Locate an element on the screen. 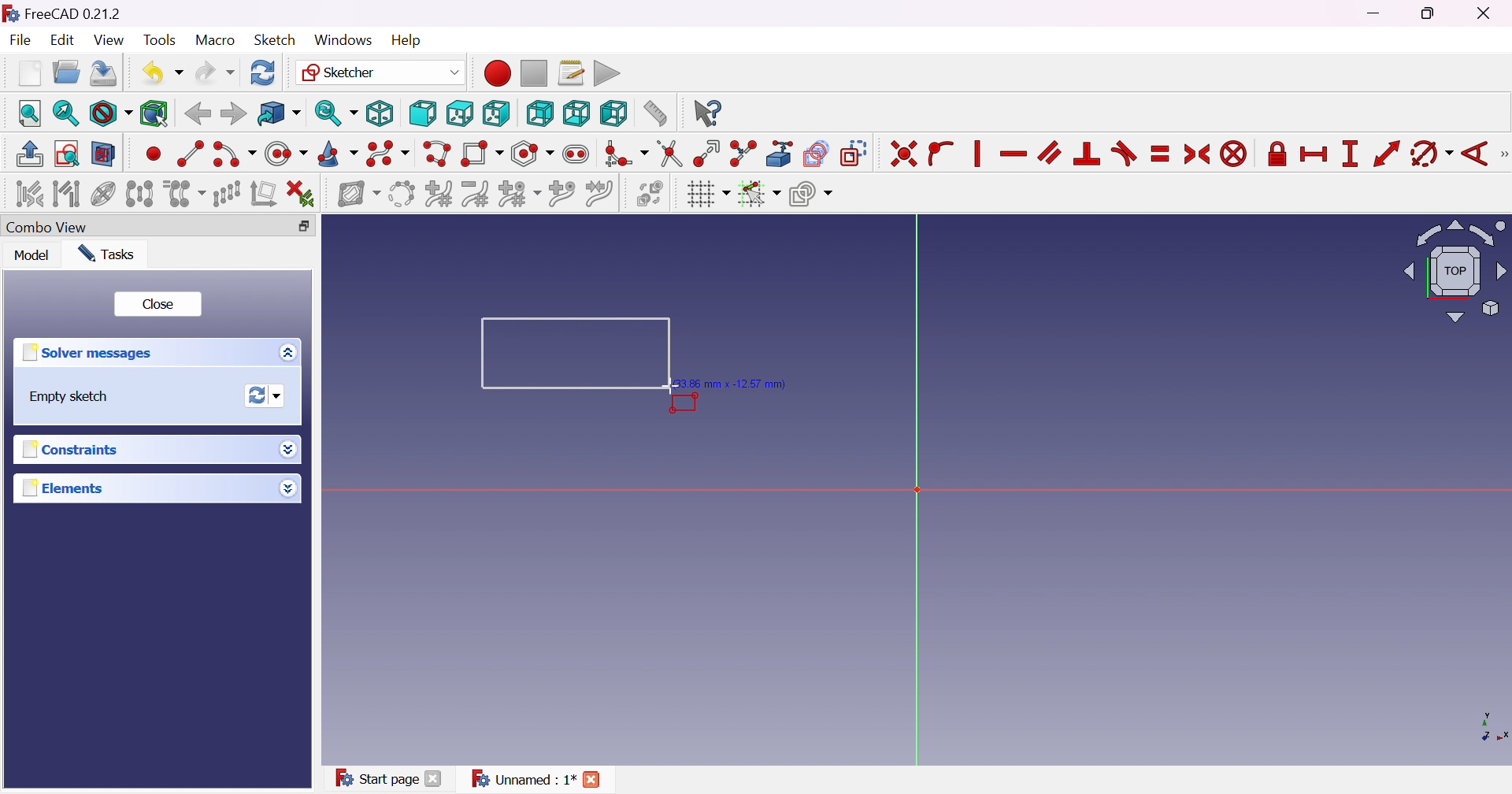  Refresh is located at coordinates (265, 72).